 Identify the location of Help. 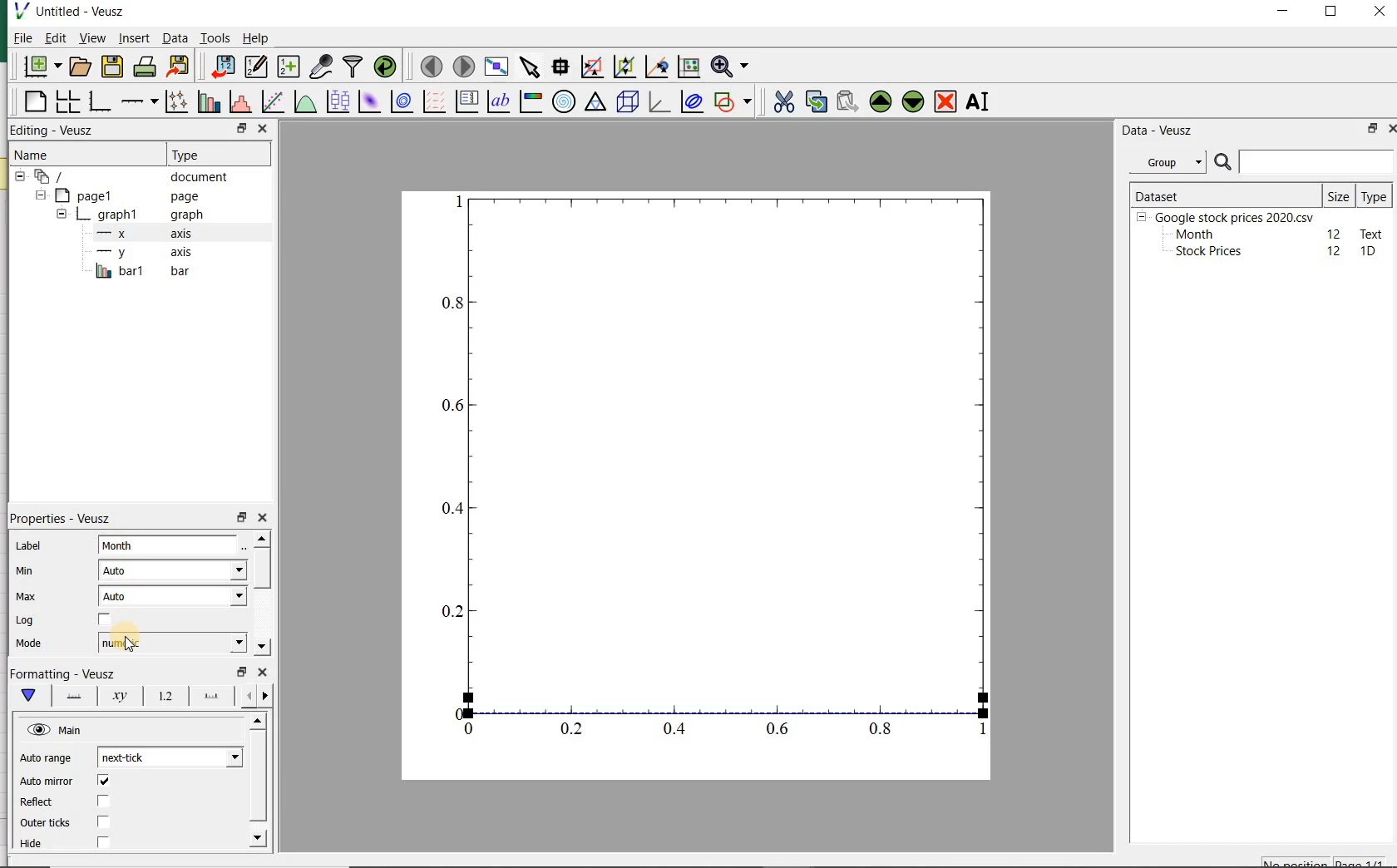
(258, 40).